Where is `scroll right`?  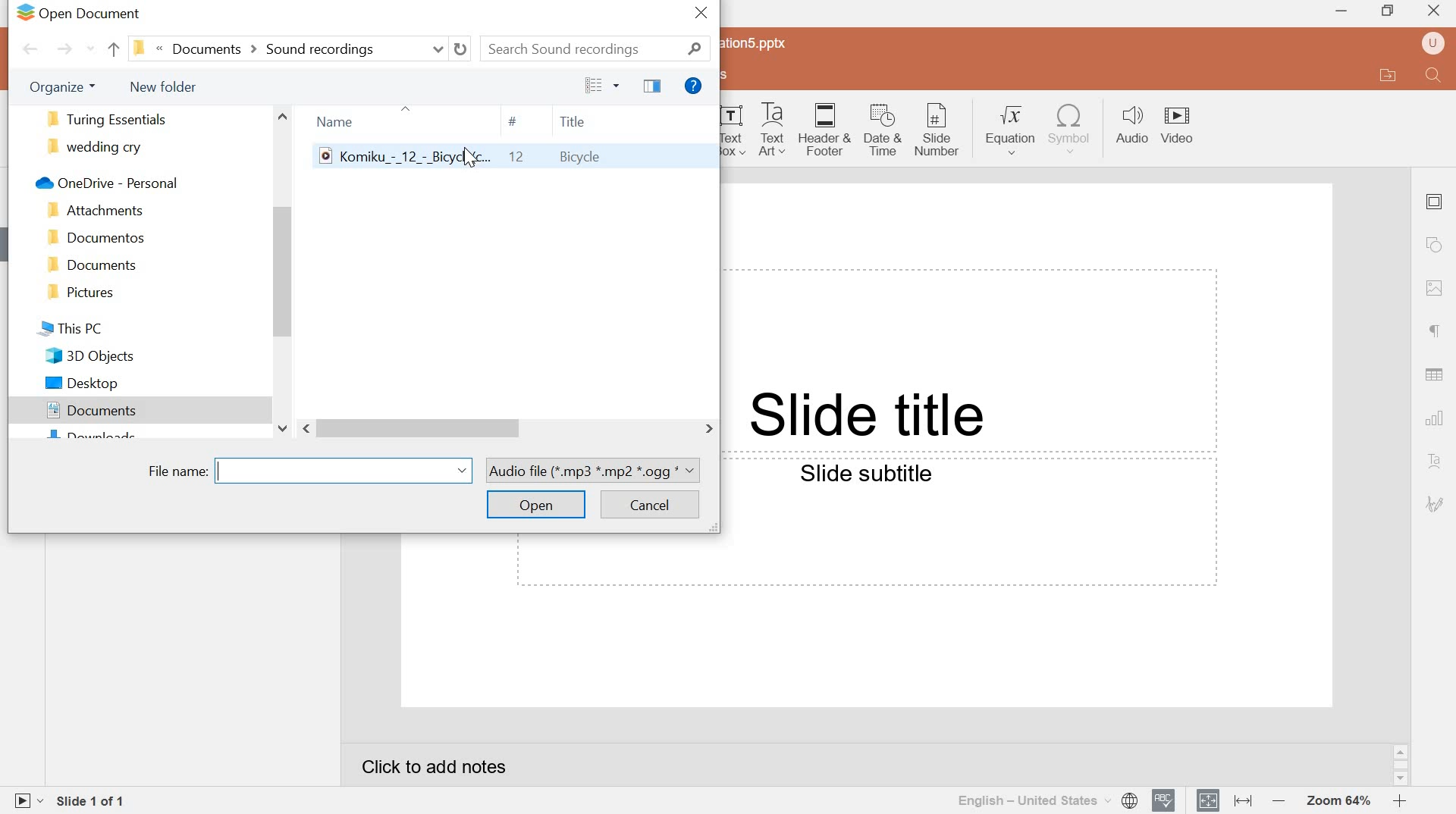
scroll right is located at coordinates (703, 429).